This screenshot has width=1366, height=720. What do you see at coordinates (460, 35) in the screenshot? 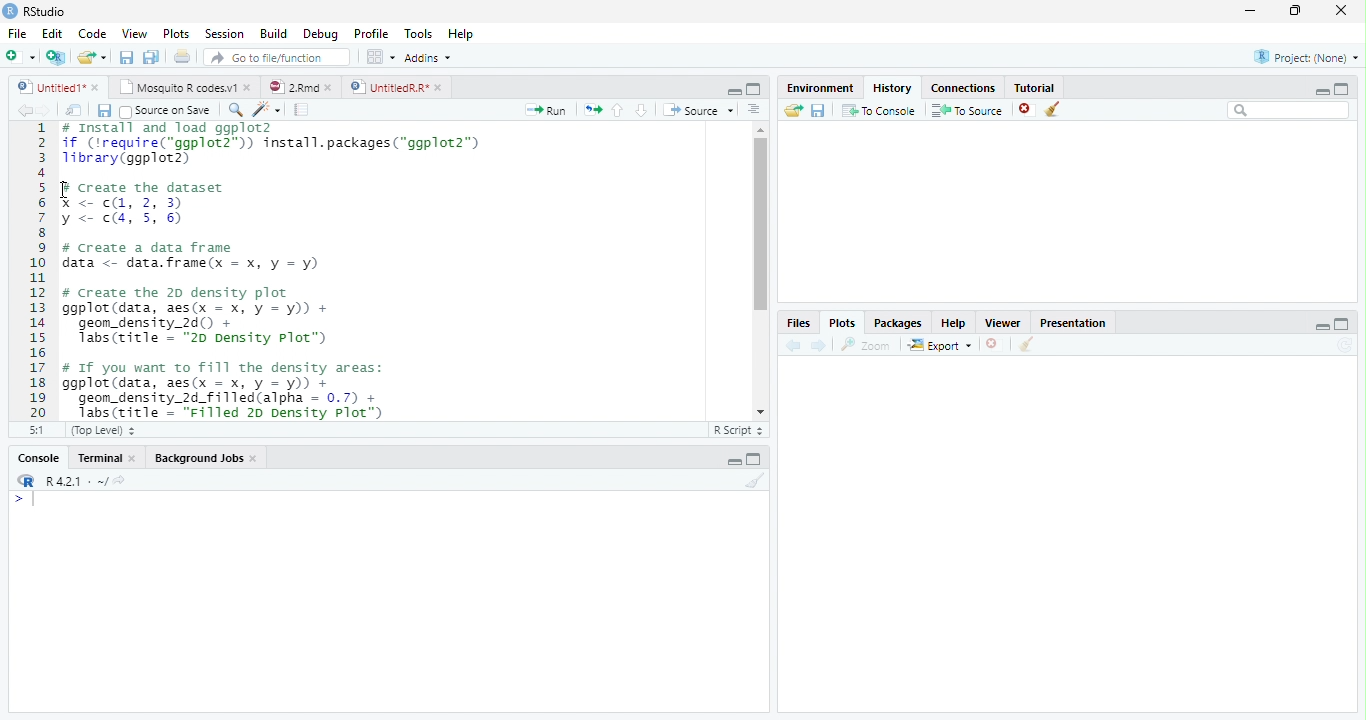
I see `Help` at bounding box center [460, 35].